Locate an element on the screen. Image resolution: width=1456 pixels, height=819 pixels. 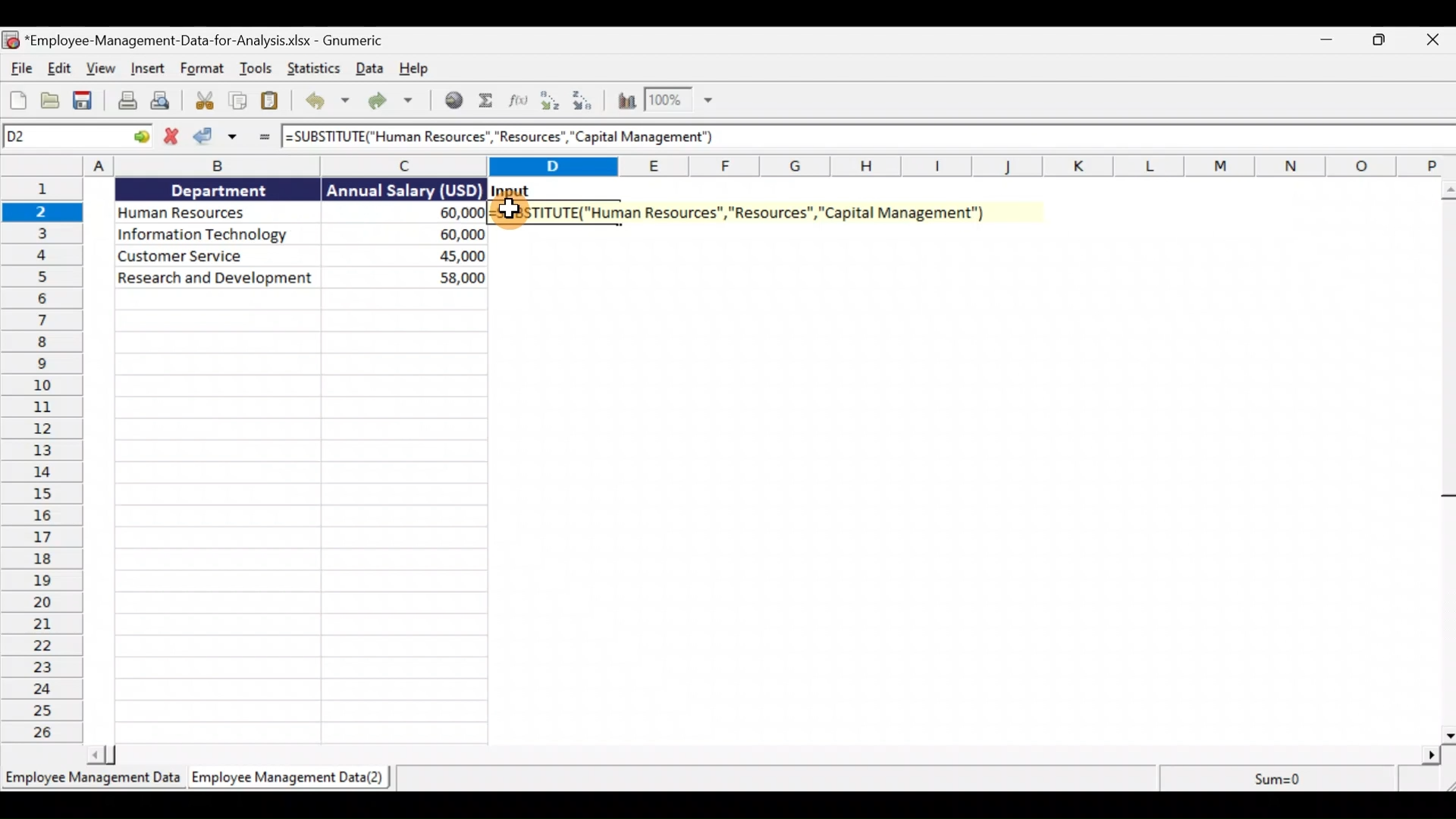
File is located at coordinates (21, 68).